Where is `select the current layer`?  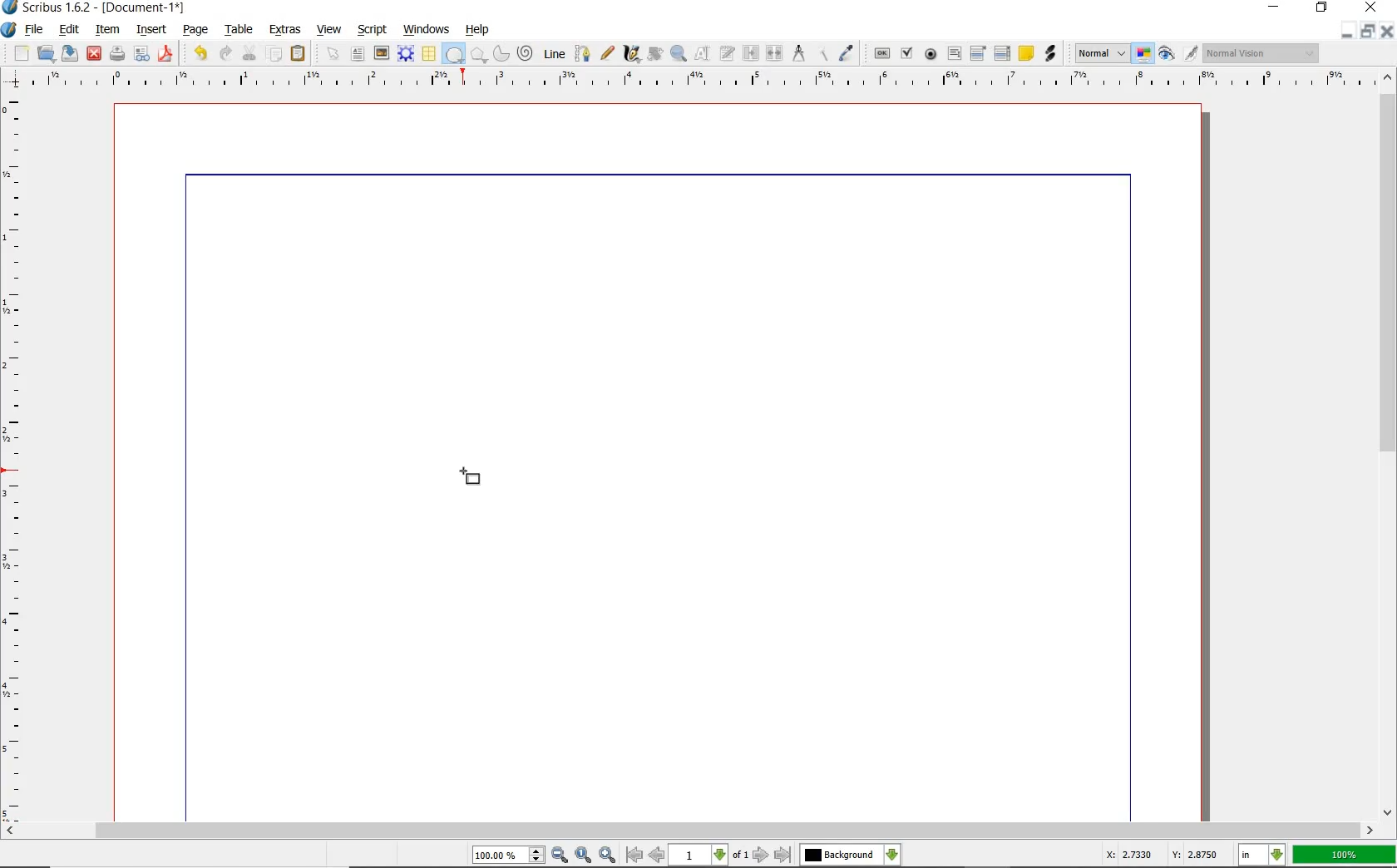
select the current layer is located at coordinates (892, 855).